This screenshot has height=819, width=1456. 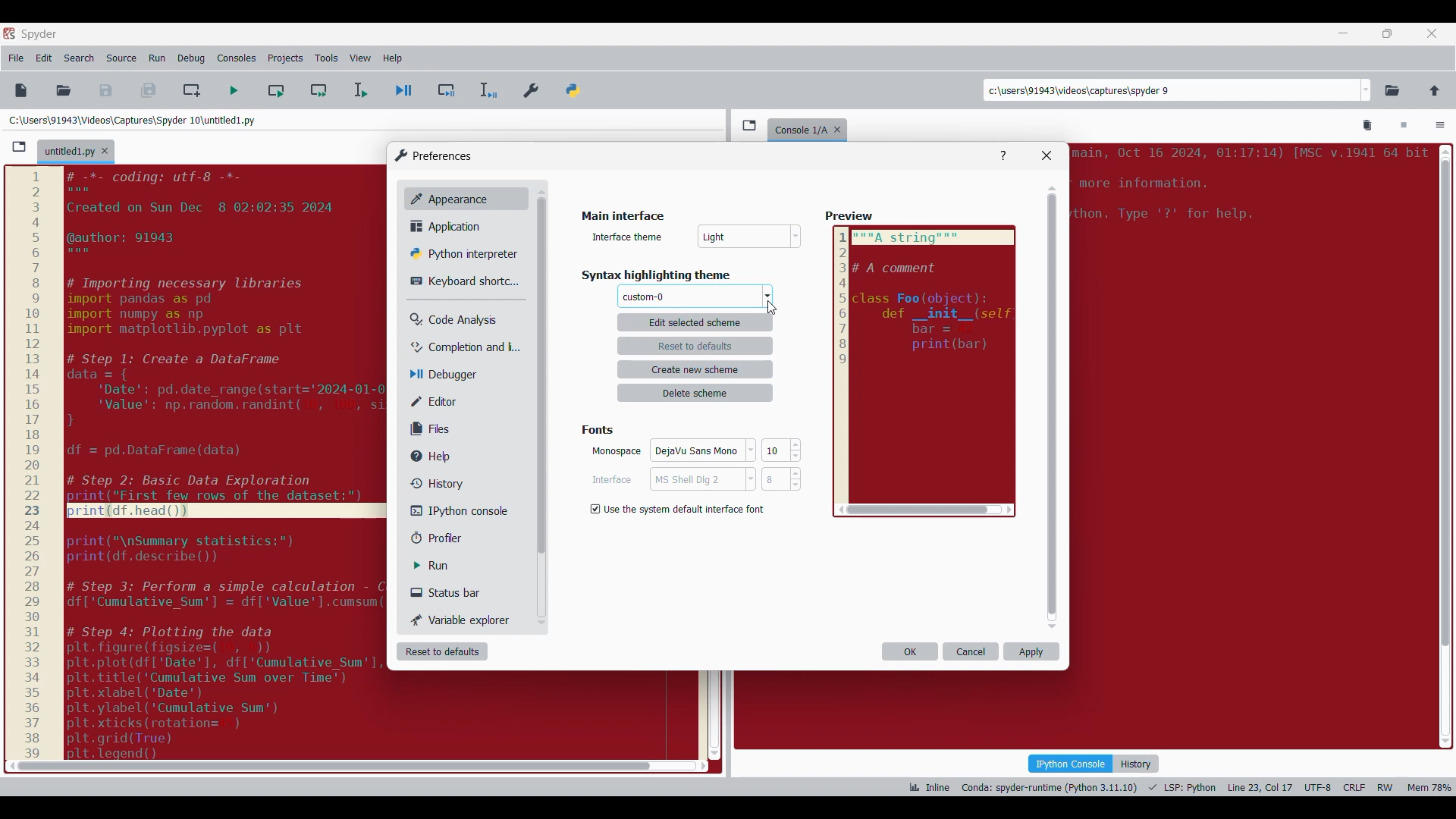 What do you see at coordinates (1031, 651) in the screenshot?
I see `Apply` at bounding box center [1031, 651].